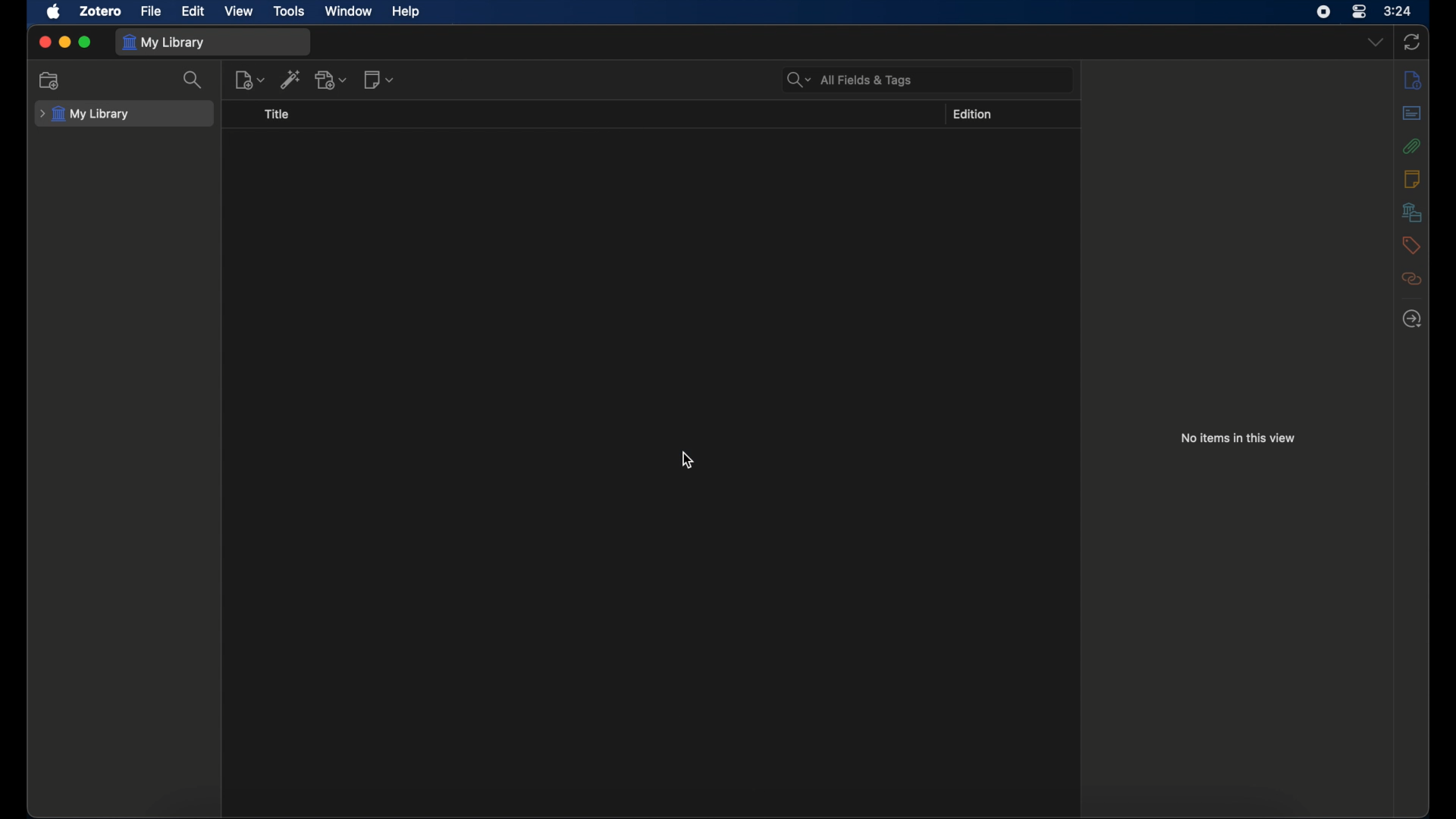 The height and width of the screenshot is (819, 1456). Describe the element at coordinates (250, 80) in the screenshot. I see `new item` at that location.